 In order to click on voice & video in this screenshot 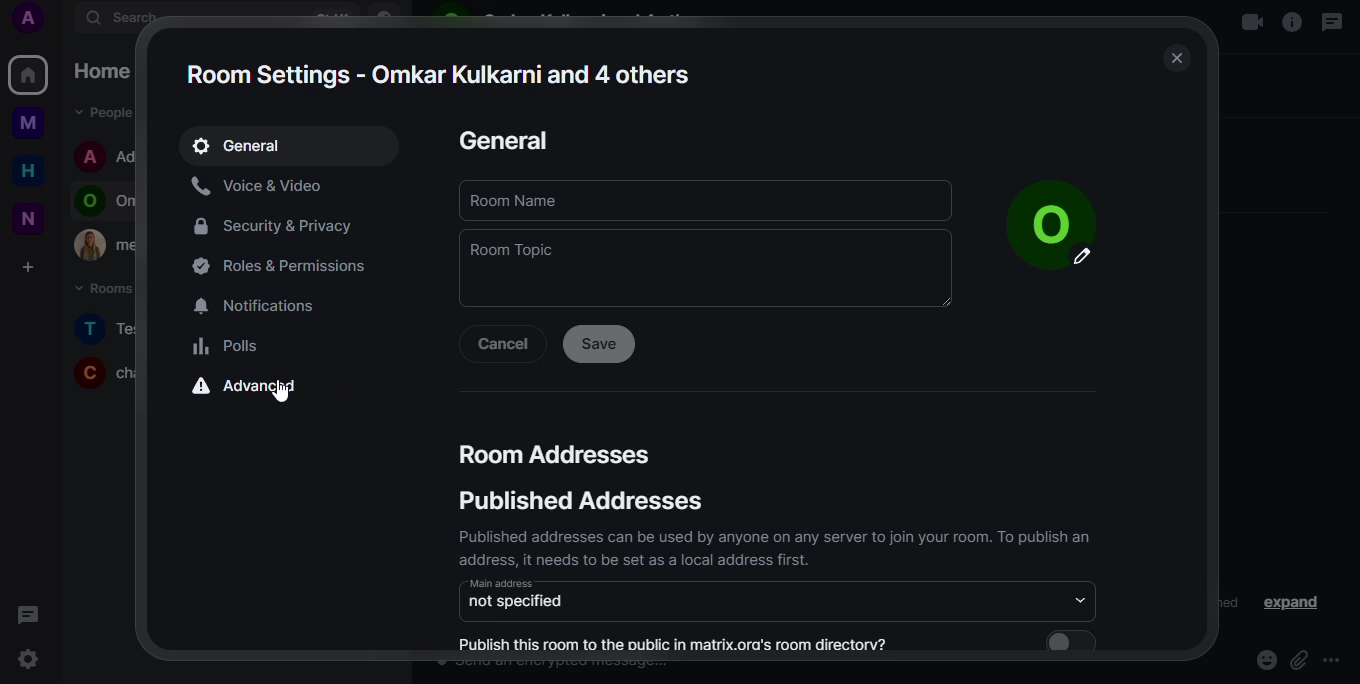, I will do `click(265, 185)`.